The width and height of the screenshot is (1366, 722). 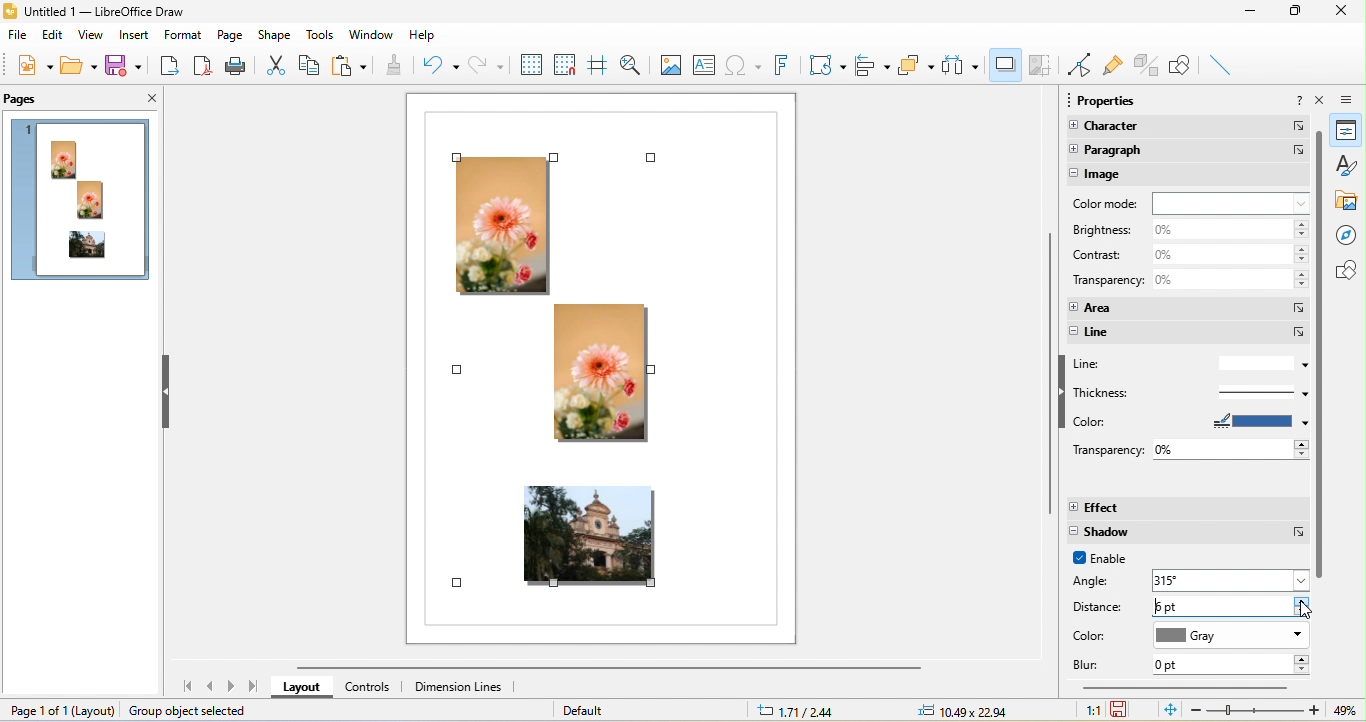 I want to click on dimension lines, so click(x=459, y=690).